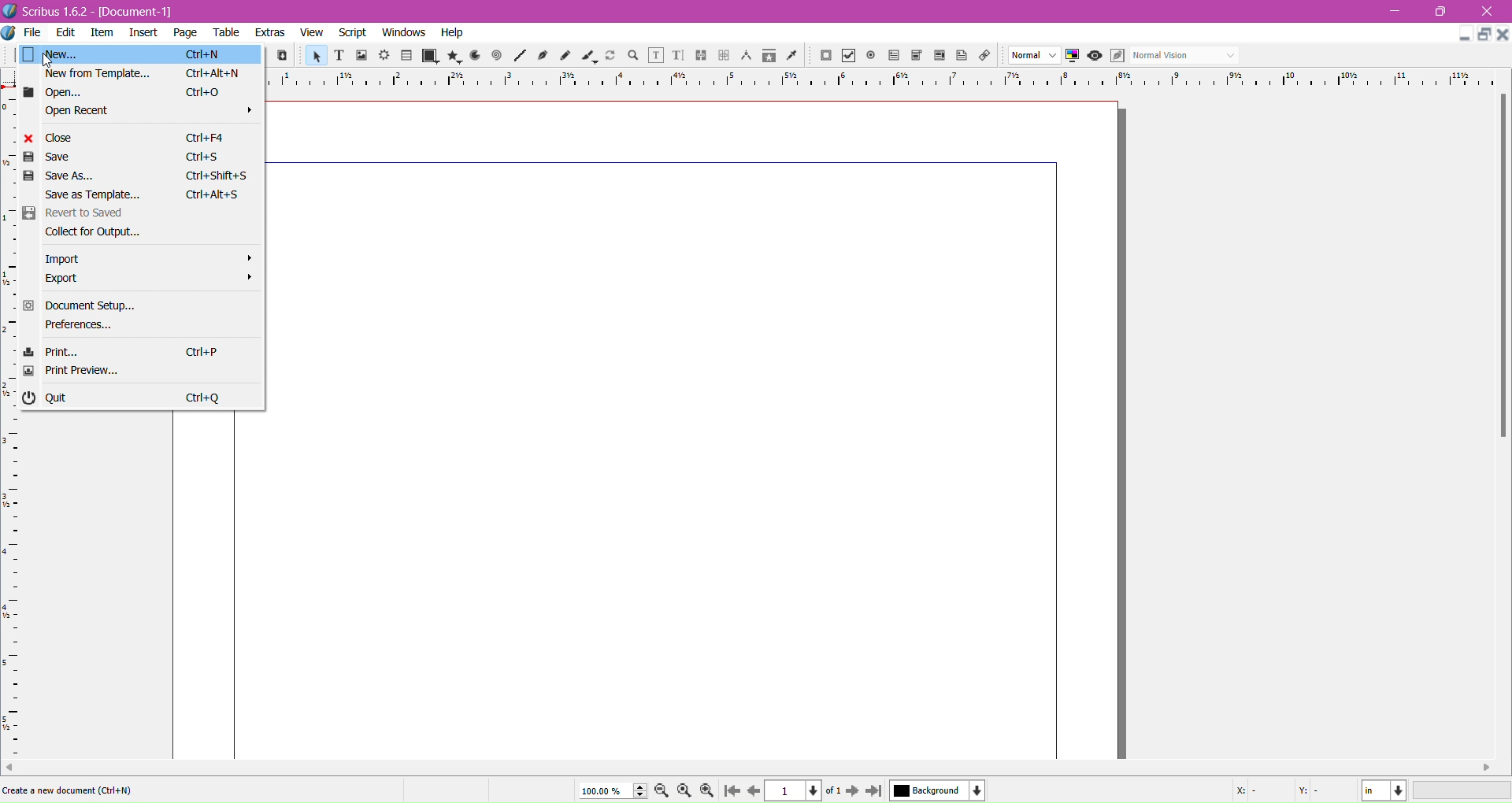  Describe the element at coordinates (144, 235) in the screenshot. I see `Collect for Output` at that location.